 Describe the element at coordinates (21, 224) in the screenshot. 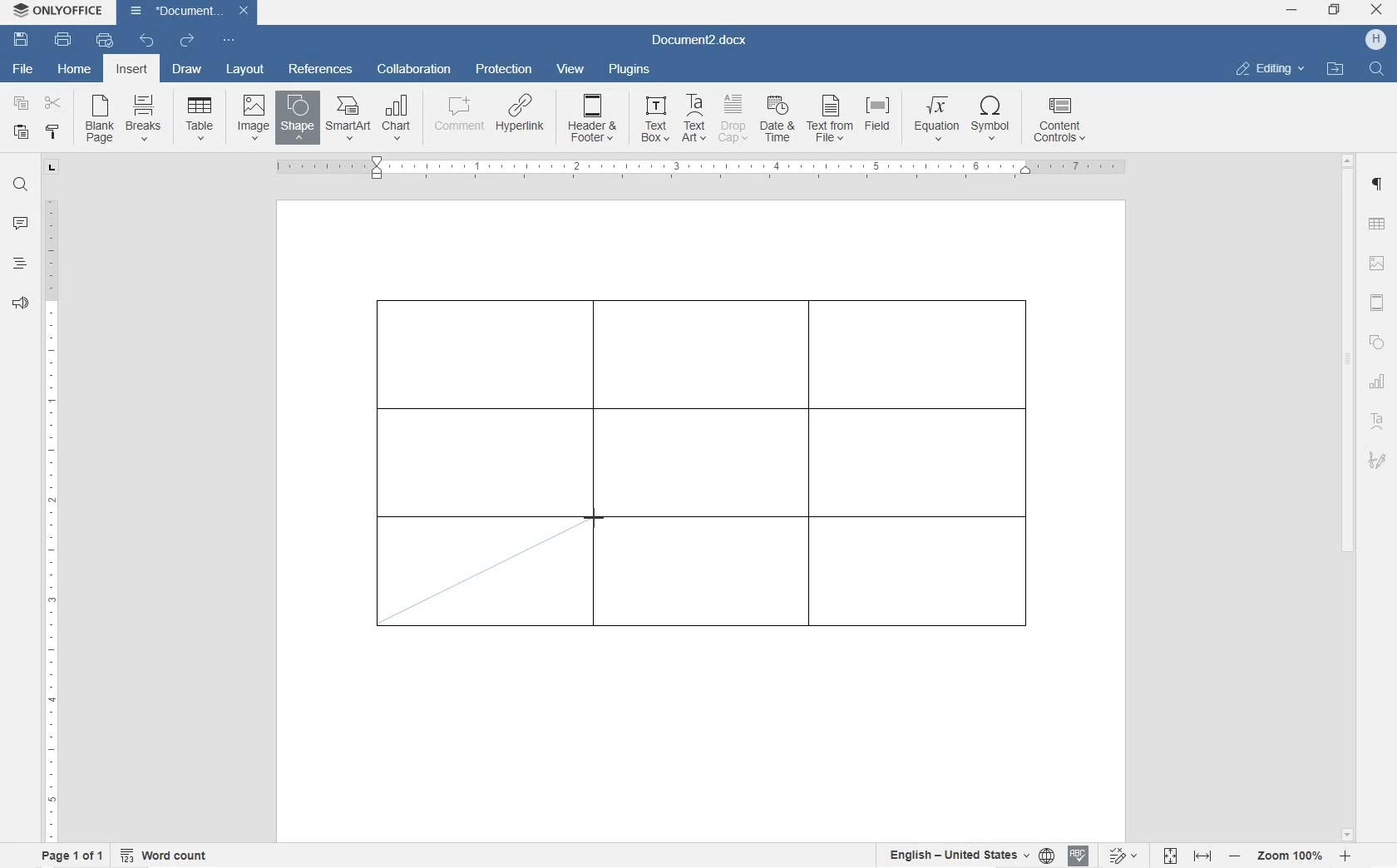

I see `comment` at that location.